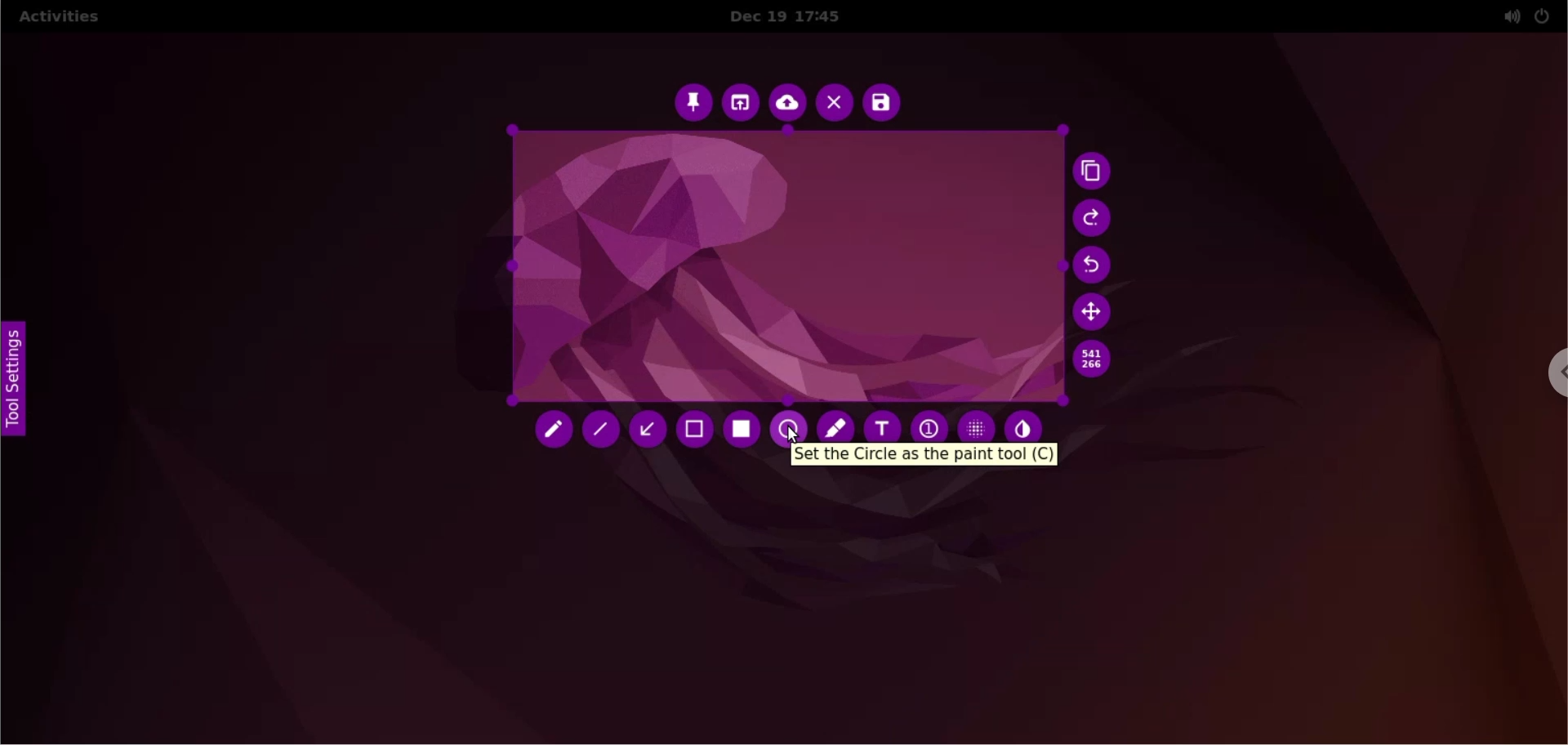  Describe the element at coordinates (835, 425) in the screenshot. I see `marker tool` at that location.